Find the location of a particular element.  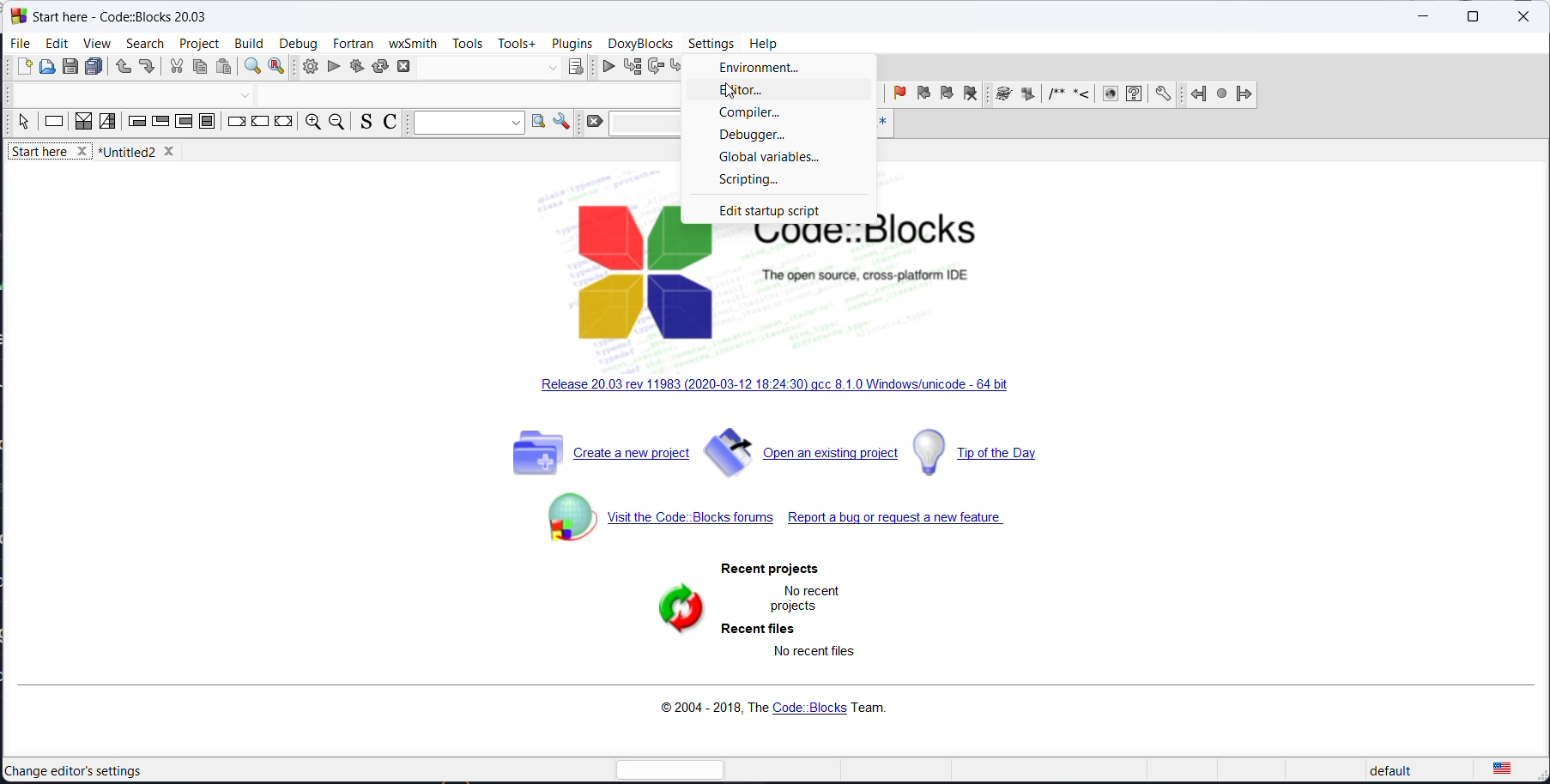

icon is located at coordinates (1109, 95).